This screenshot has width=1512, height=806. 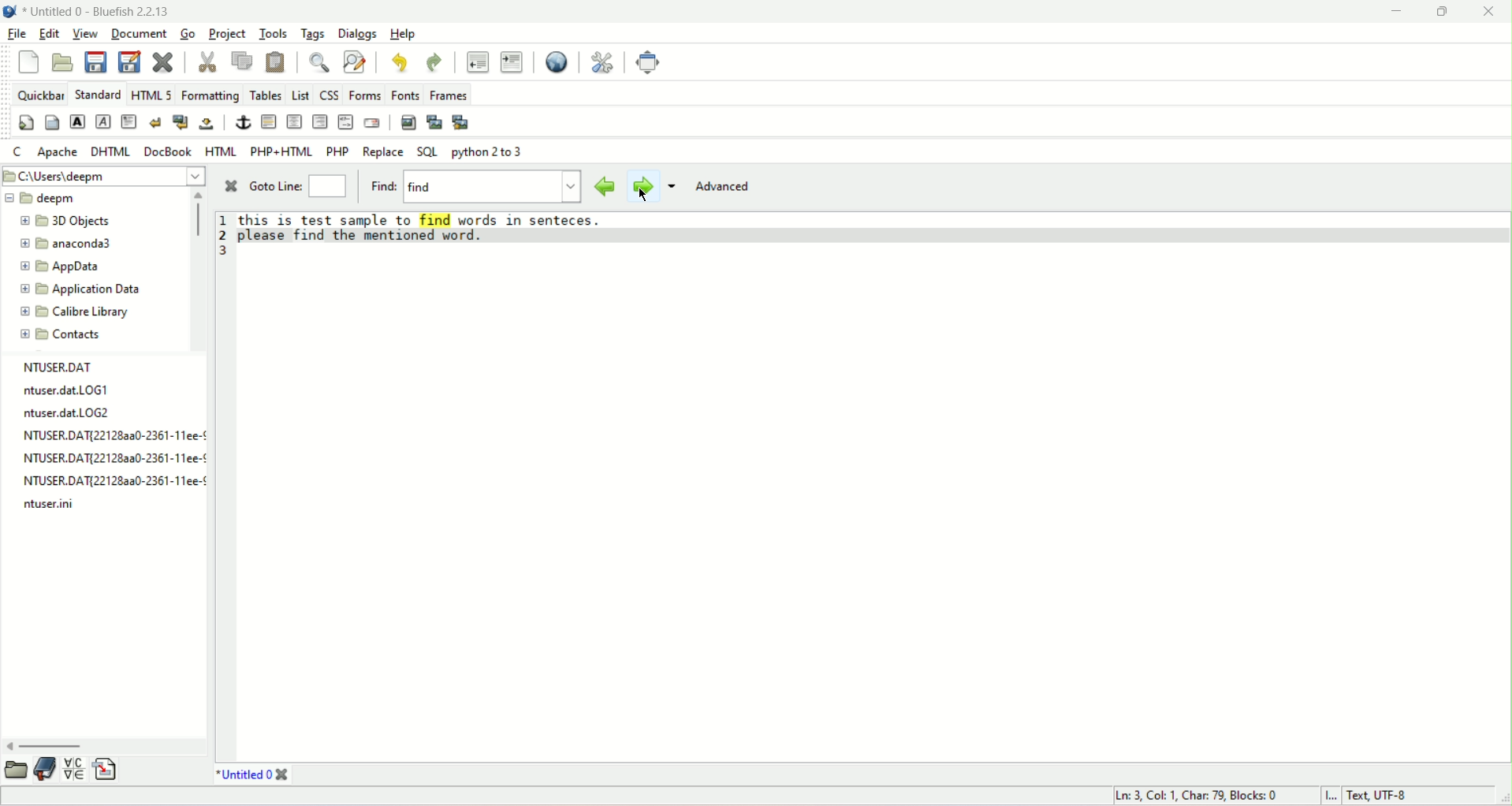 I want to click on location, so click(x=102, y=177).